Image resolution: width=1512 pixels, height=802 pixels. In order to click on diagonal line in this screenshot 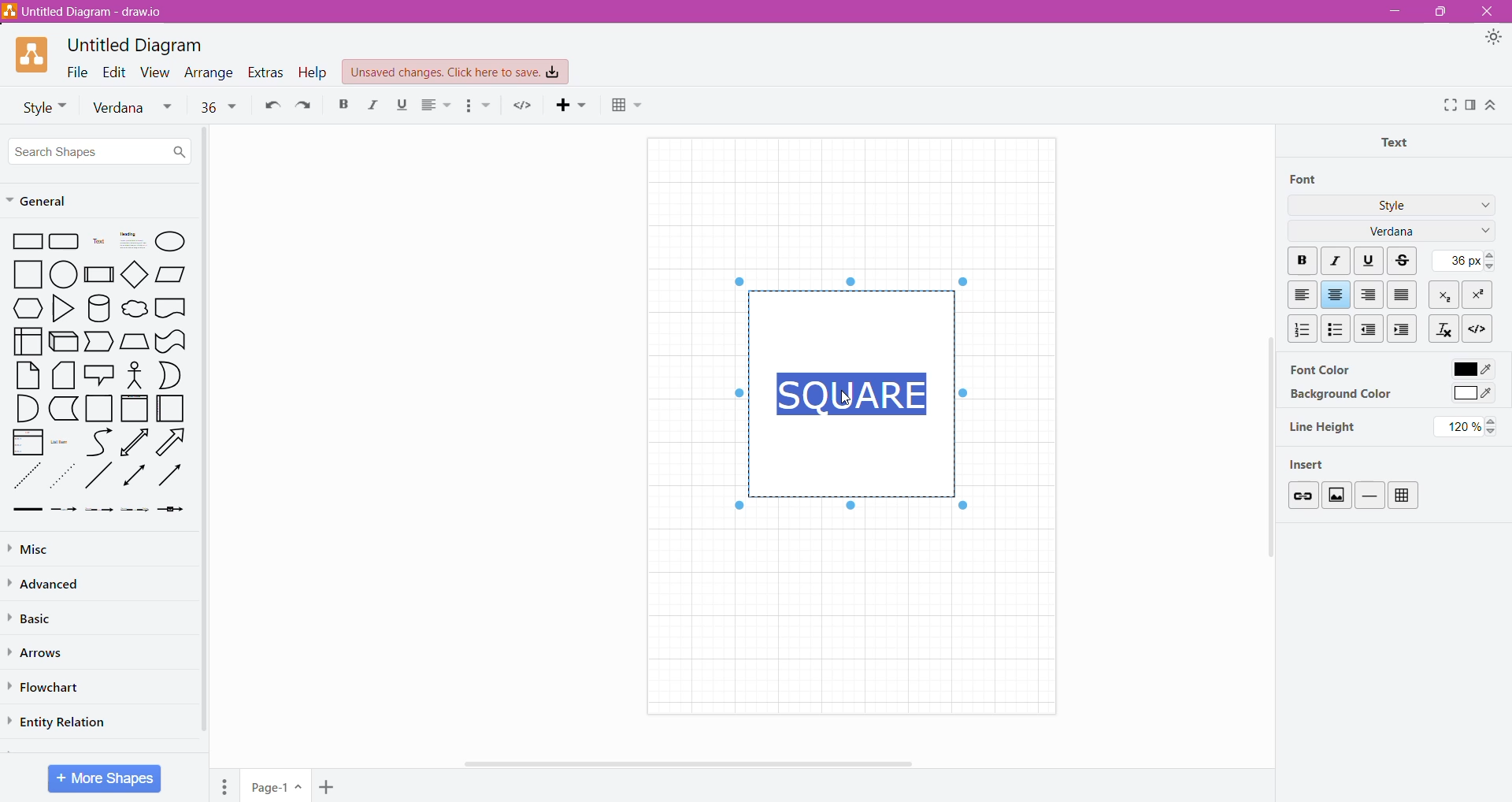, I will do `click(100, 475)`.